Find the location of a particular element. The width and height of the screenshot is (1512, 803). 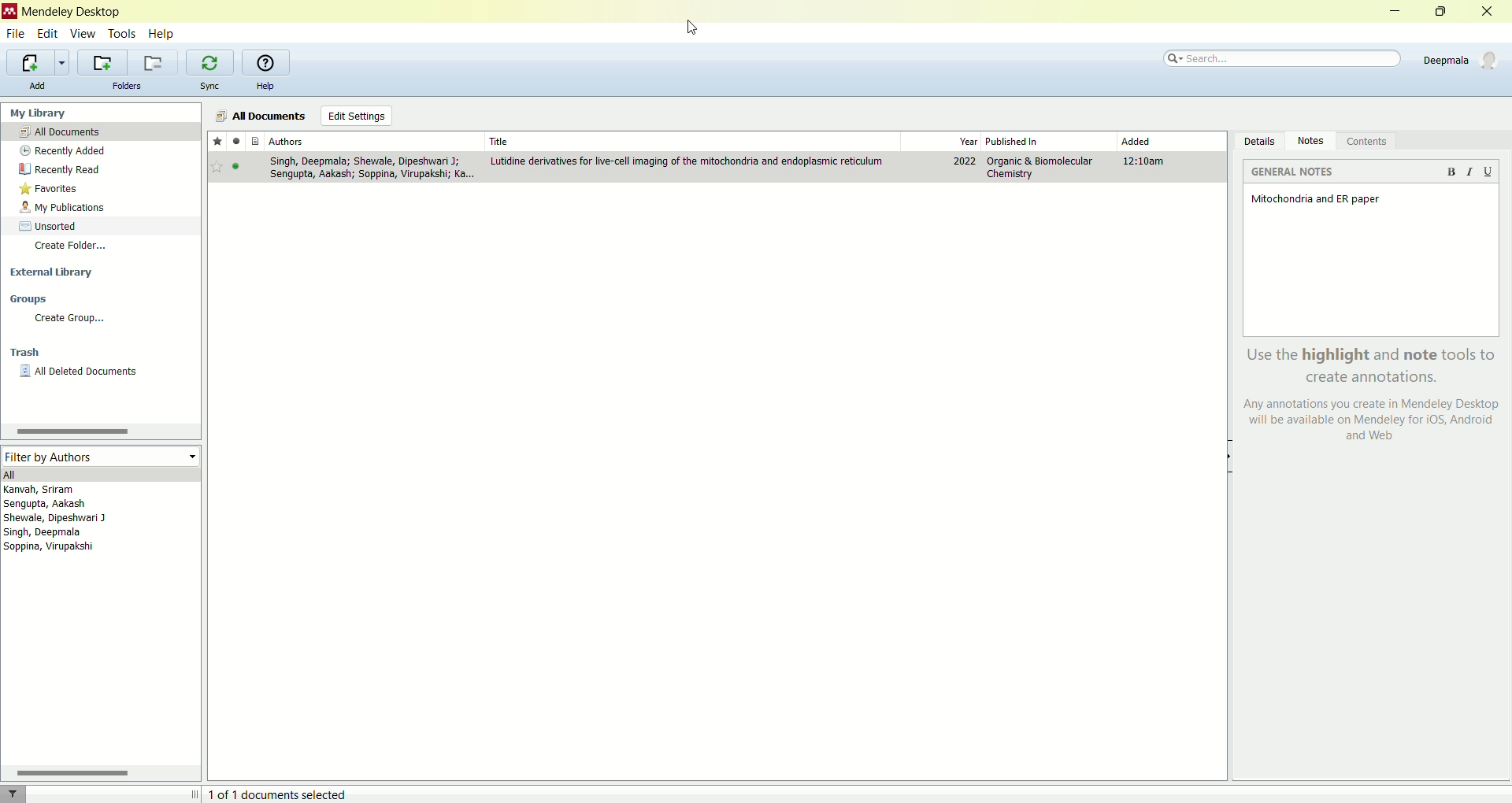

filter documents by authors, tags or publication is located at coordinates (23, 794).